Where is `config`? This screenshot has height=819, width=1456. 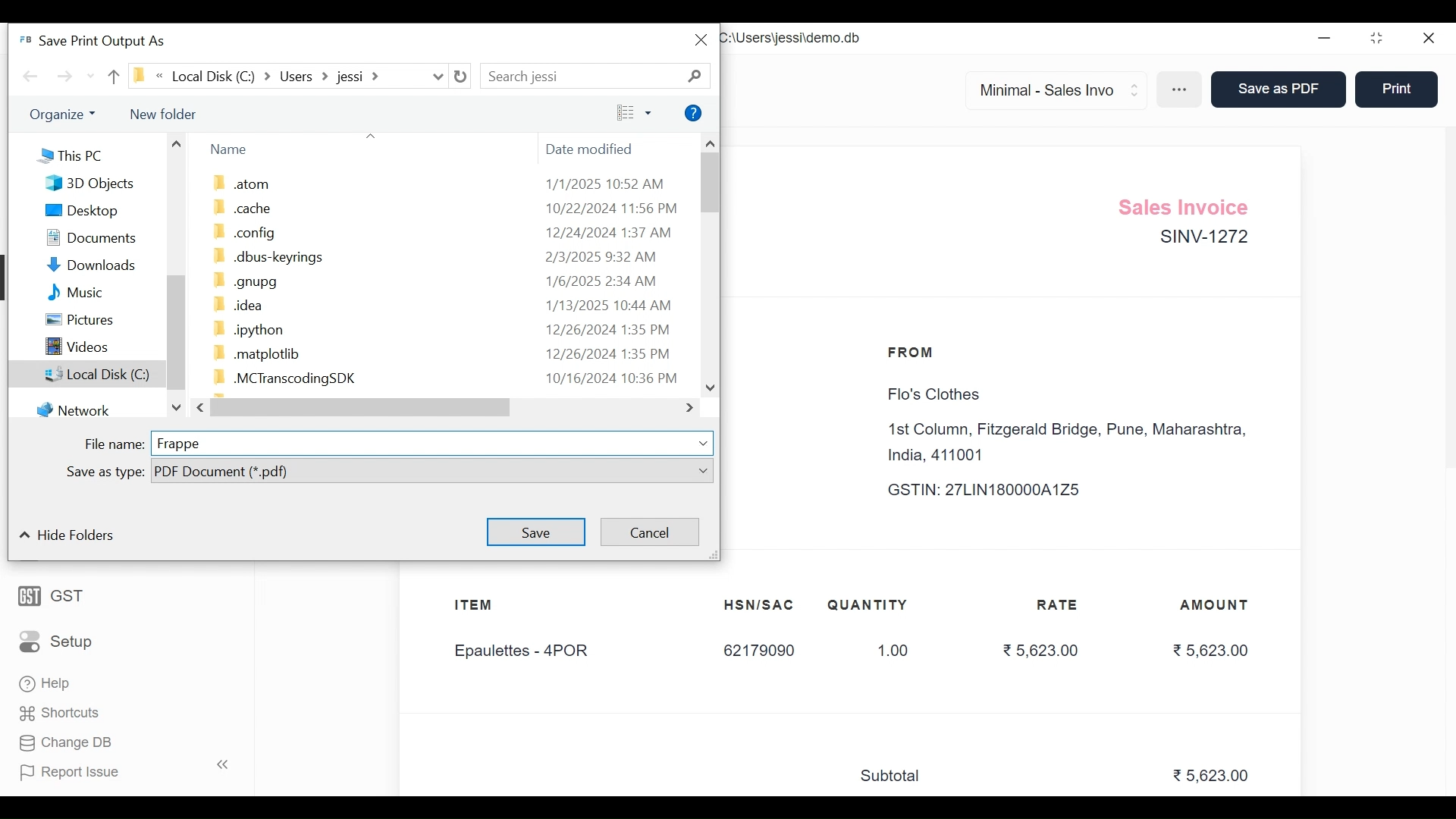
config is located at coordinates (240, 231).